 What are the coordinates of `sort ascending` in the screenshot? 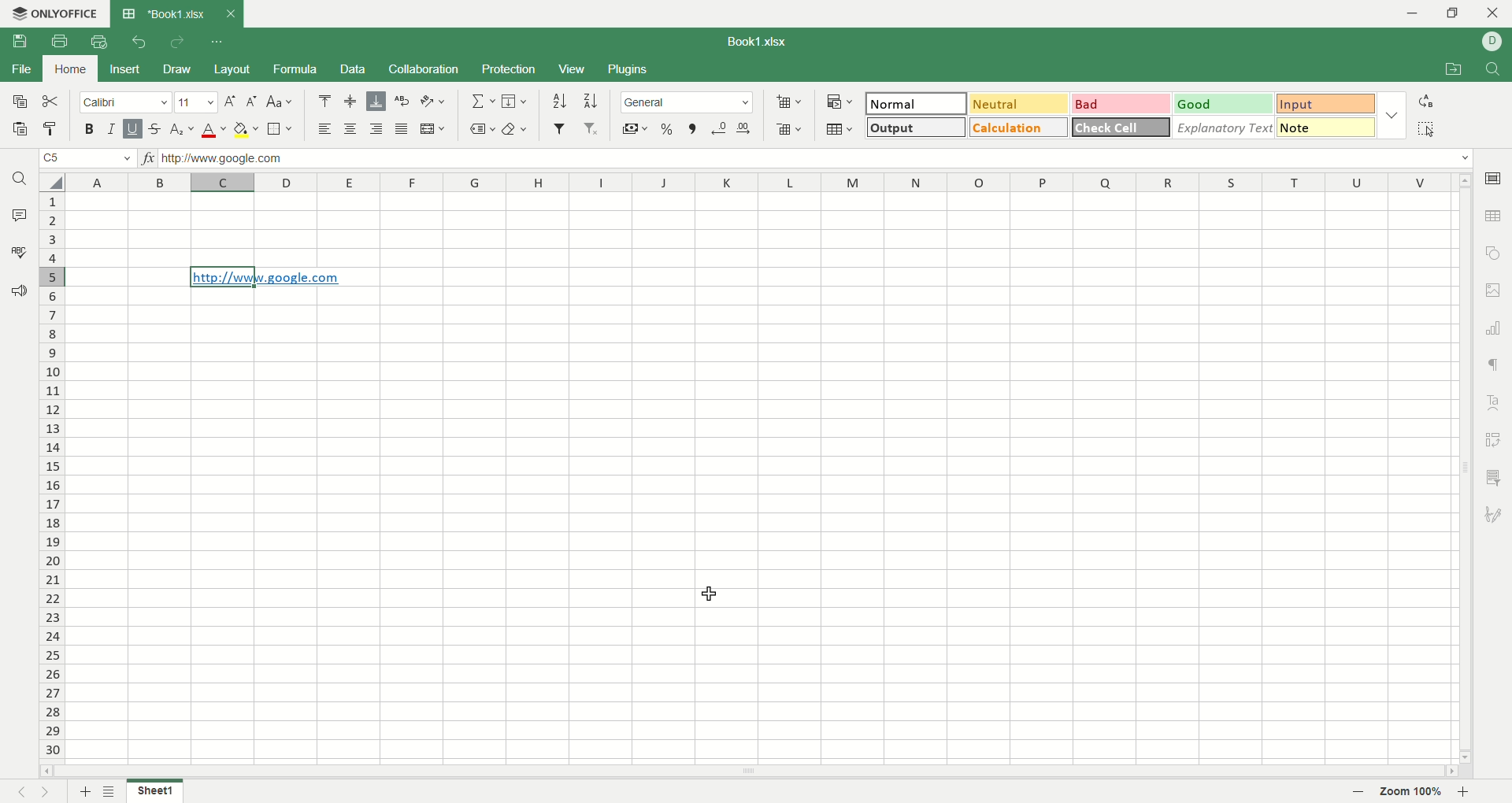 It's located at (559, 101).